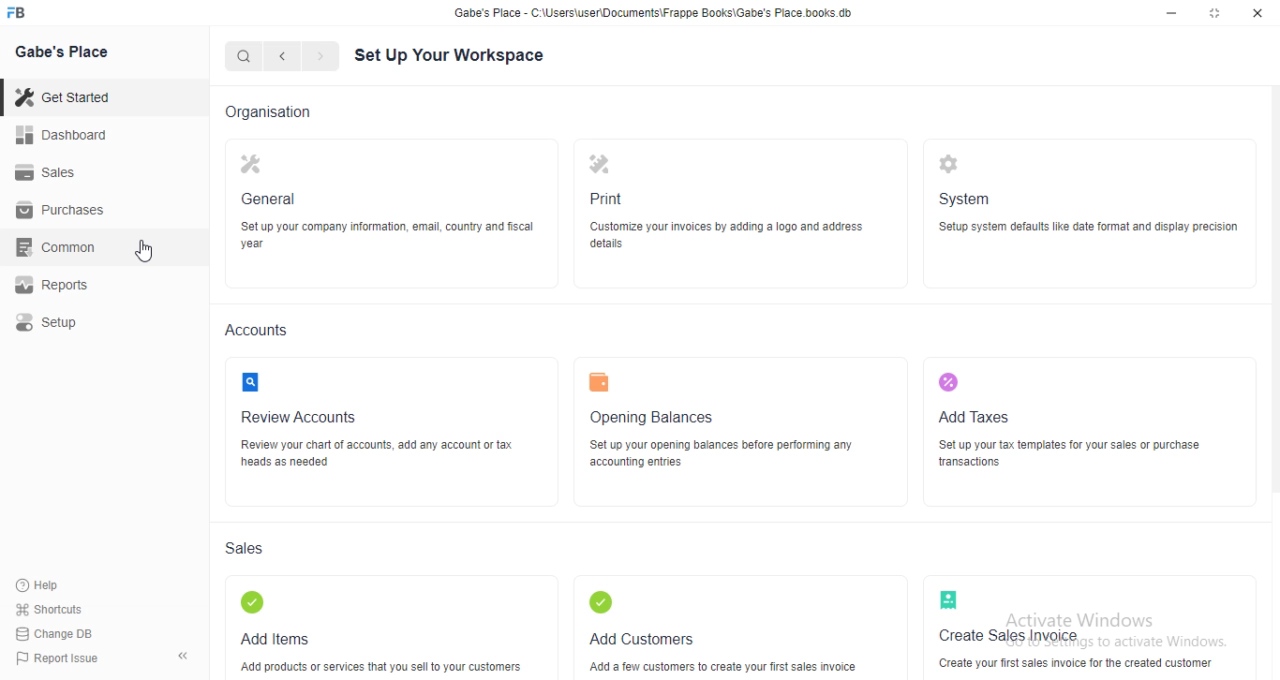 This screenshot has height=680, width=1280. What do you see at coordinates (726, 454) in the screenshot?
I see `‘Set up your opening balances before performing any accounting entries` at bounding box center [726, 454].